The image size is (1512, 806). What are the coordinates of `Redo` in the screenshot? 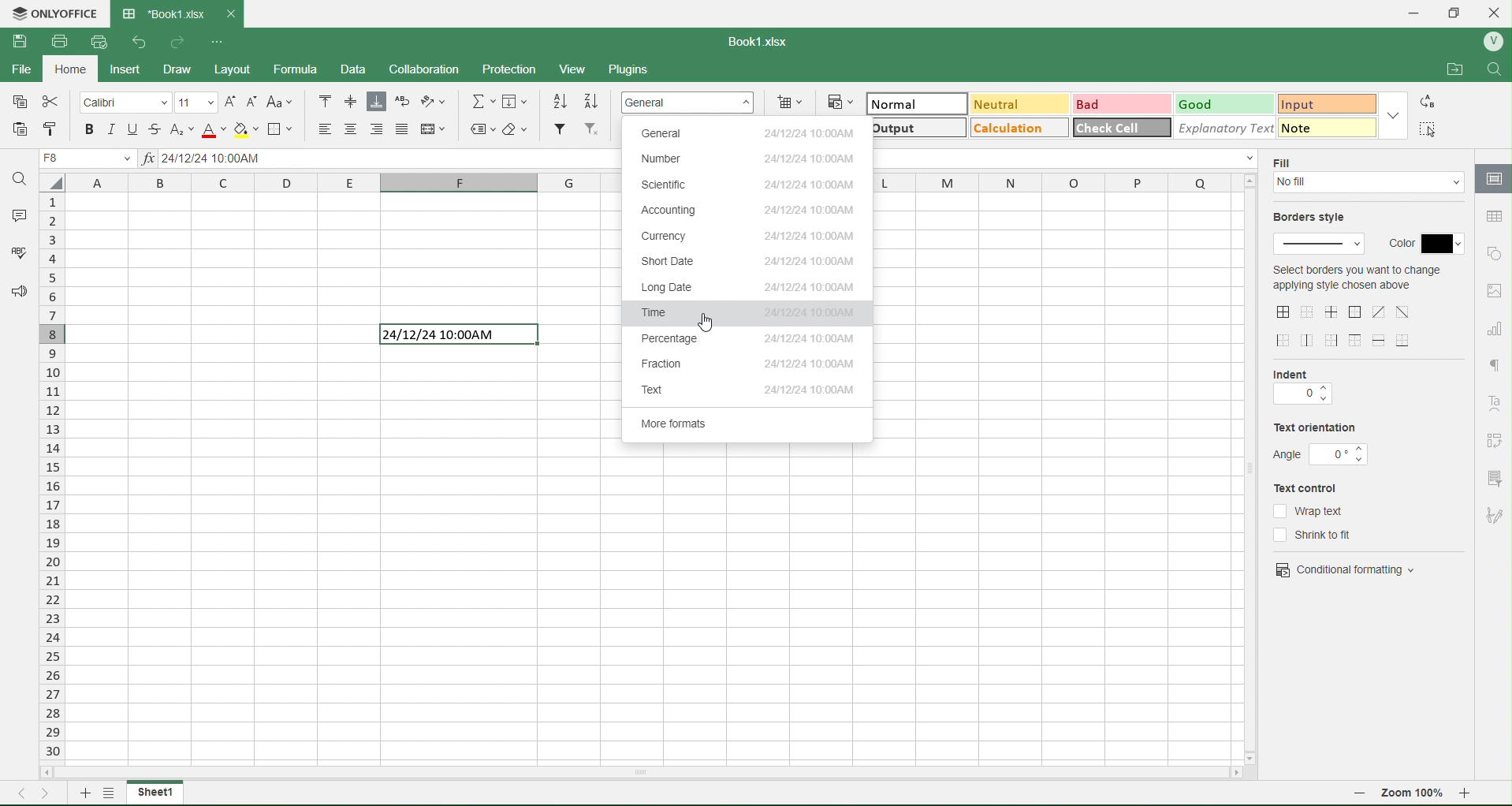 It's located at (179, 41).